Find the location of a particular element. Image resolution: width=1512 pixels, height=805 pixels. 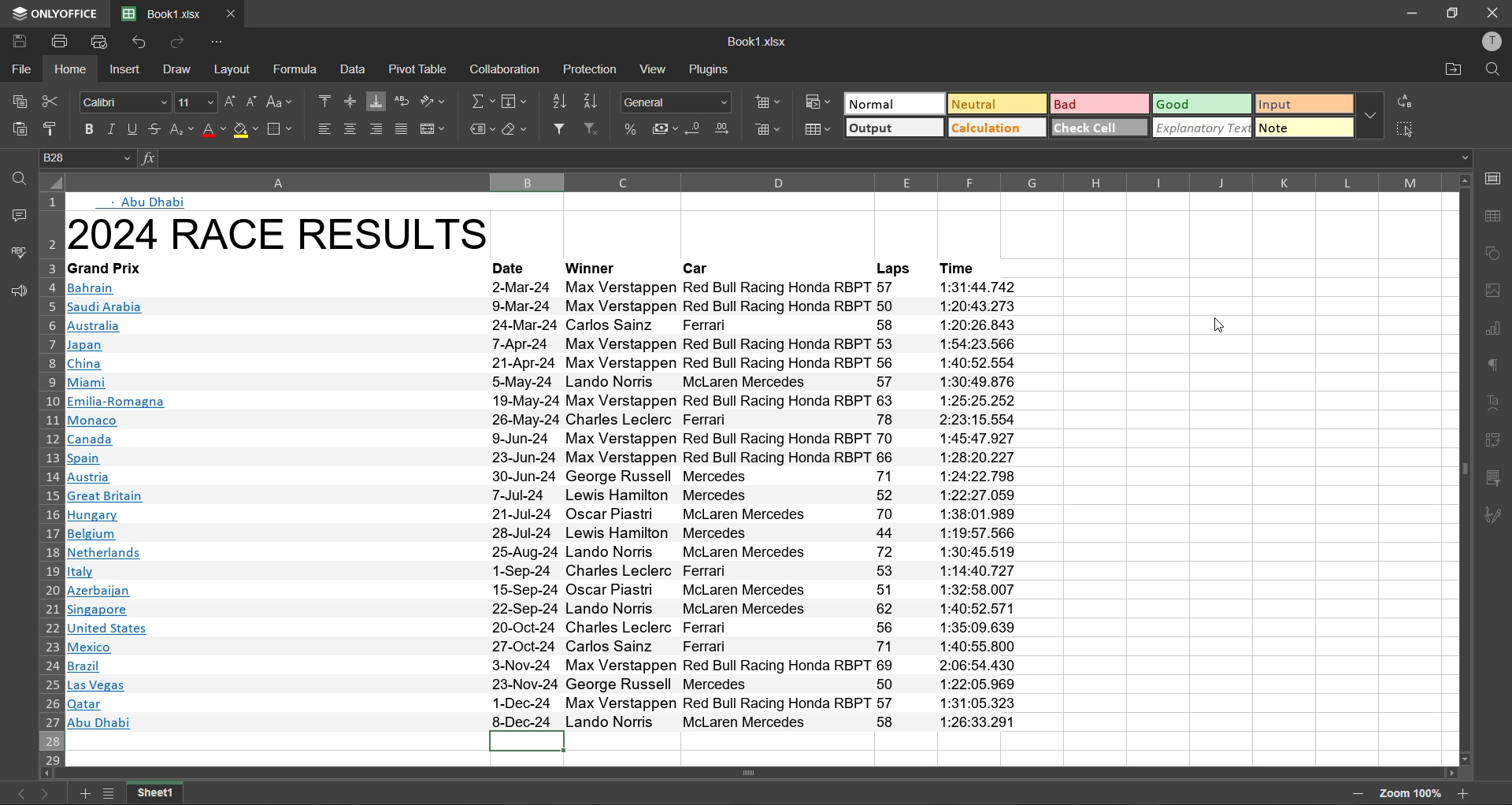

Junited States 20-Oct-24 Charles Leclerc Ferrari 56 1:35:09.639 is located at coordinates (544, 629).